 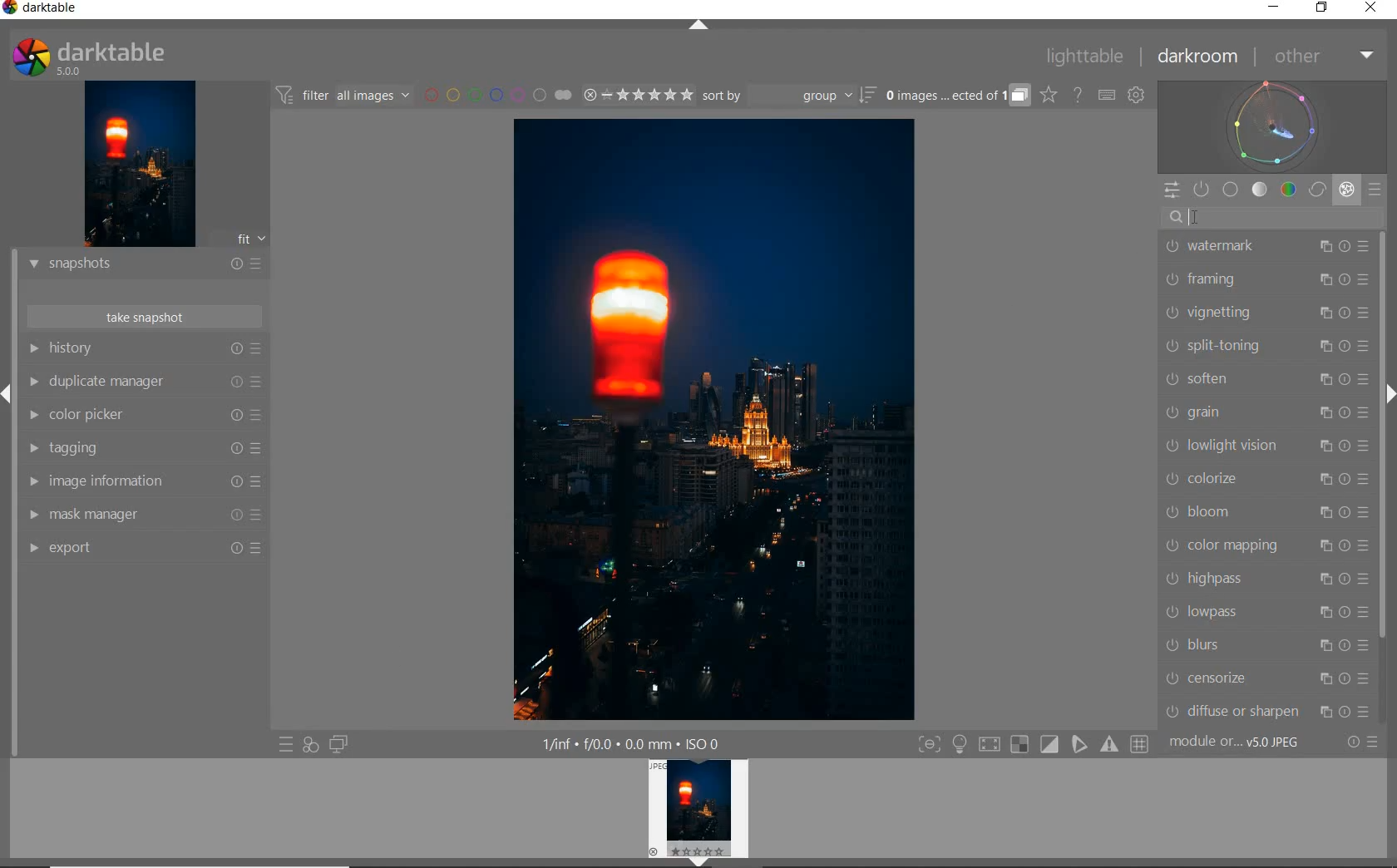 What do you see at coordinates (1048, 96) in the screenshot?
I see `CLICK TO CHANGE THE OVERLAYS SHOWN ON THUMBNAILS` at bounding box center [1048, 96].